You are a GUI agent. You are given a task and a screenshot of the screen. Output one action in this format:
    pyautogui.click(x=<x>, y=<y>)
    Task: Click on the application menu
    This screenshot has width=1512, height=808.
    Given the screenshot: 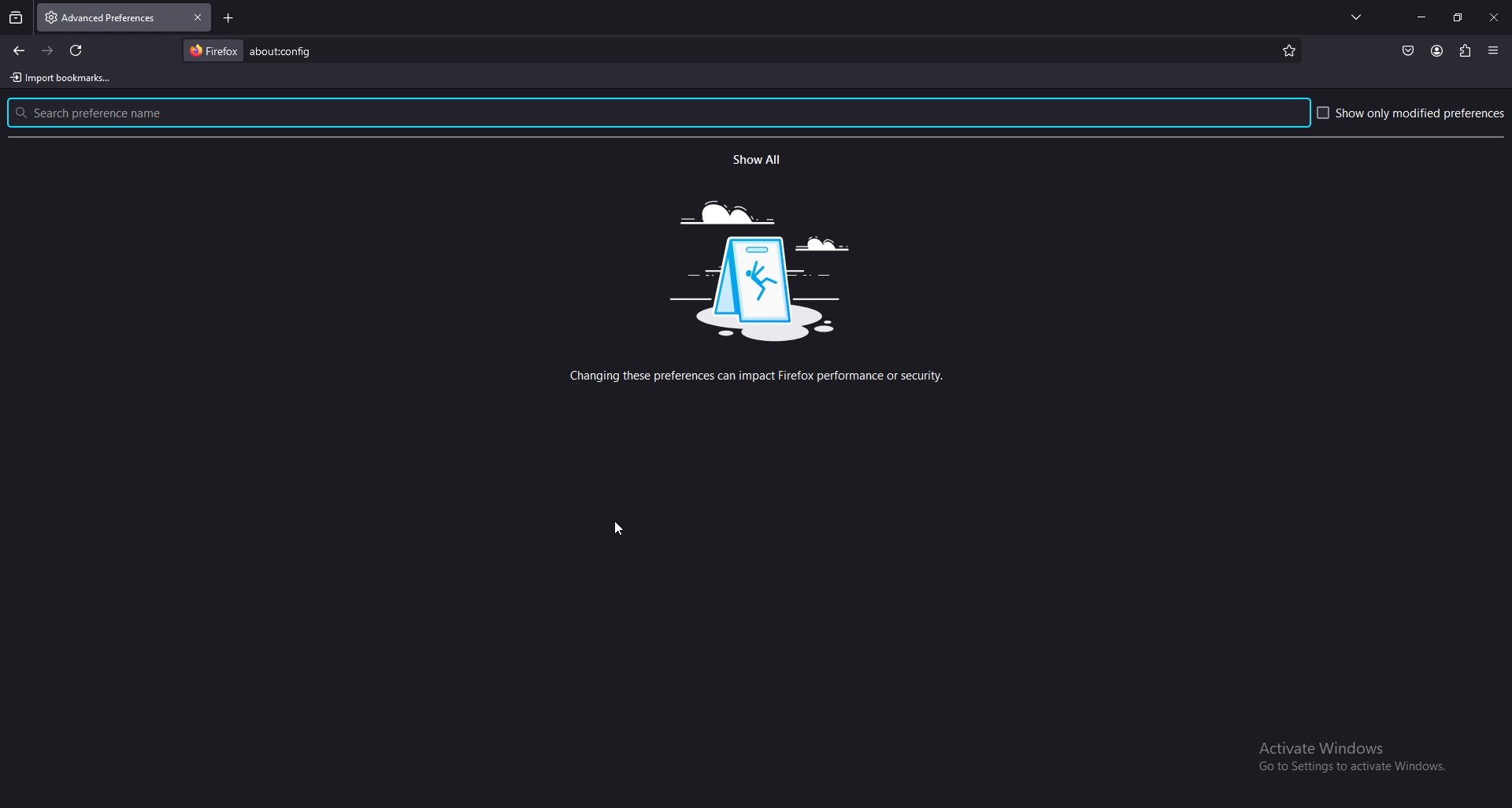 What is the action you would take?
    pyautogui.click(x=1495, y=50)
    